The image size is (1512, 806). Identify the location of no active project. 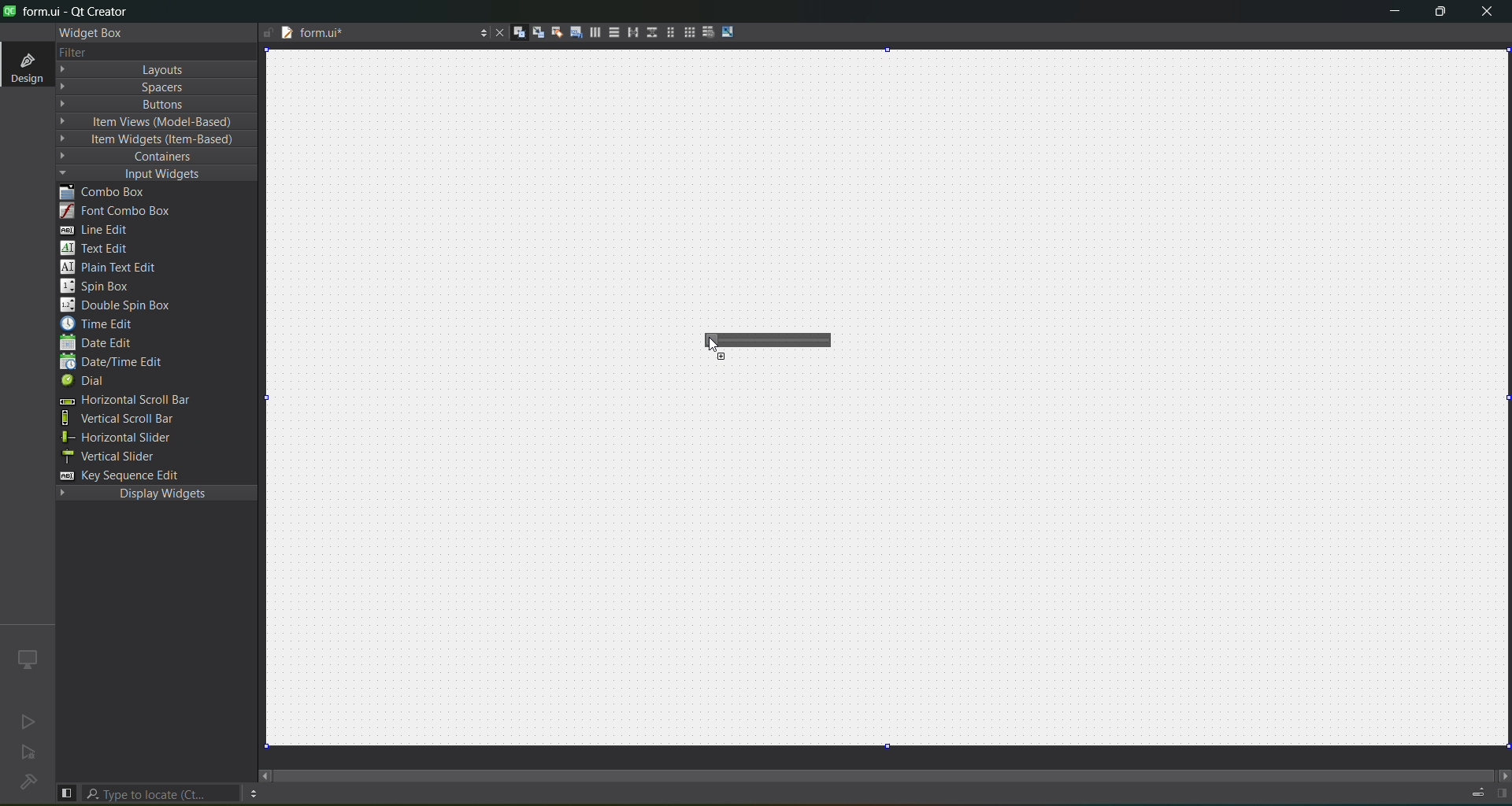
(28, 752).